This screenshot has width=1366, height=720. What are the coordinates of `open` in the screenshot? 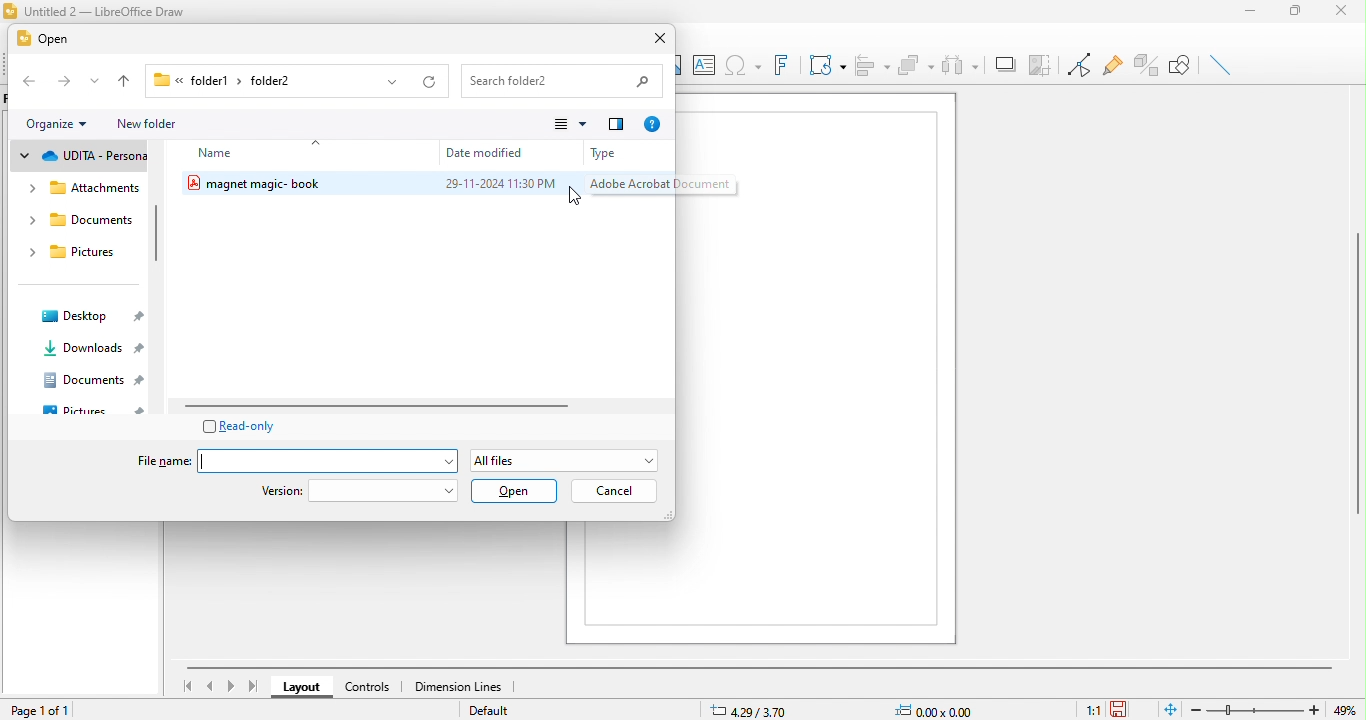 It's located at (50, 40).